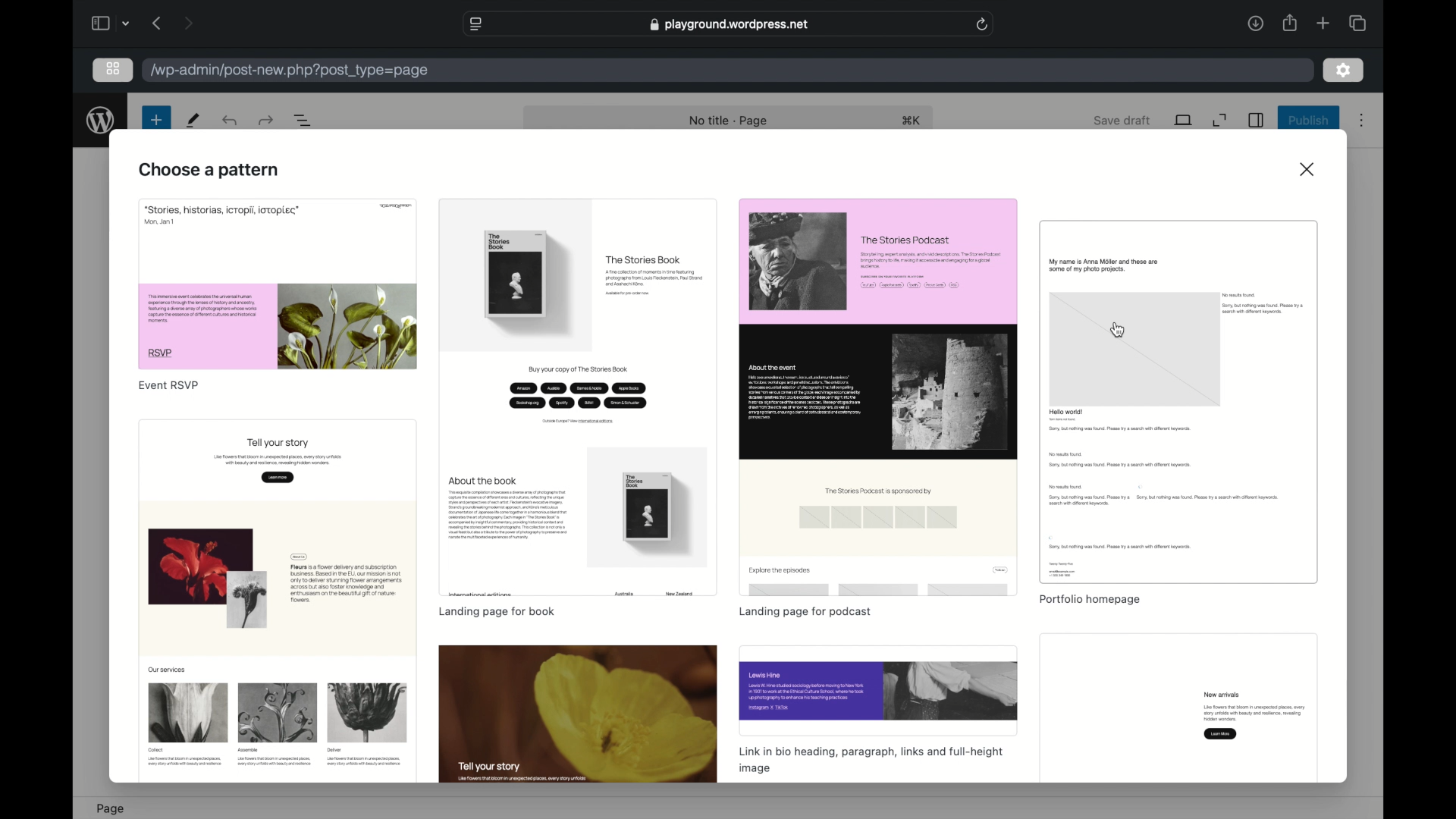  What do you see at coordinates (1118, 329) in the screenshot?
I see `cursor` at bounding box center [1118, 329].